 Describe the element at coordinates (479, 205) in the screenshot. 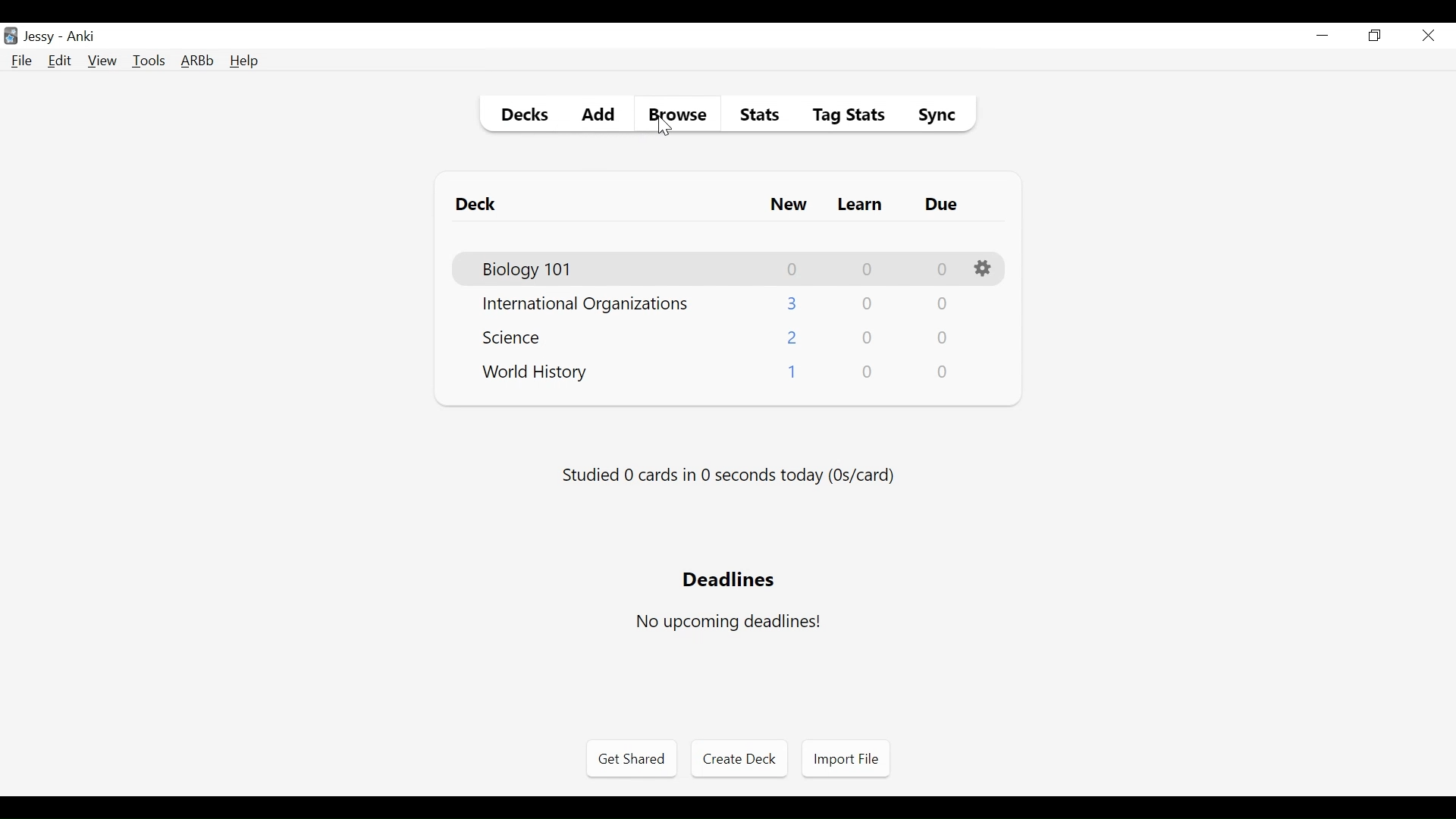

I see `Deck` at that location.